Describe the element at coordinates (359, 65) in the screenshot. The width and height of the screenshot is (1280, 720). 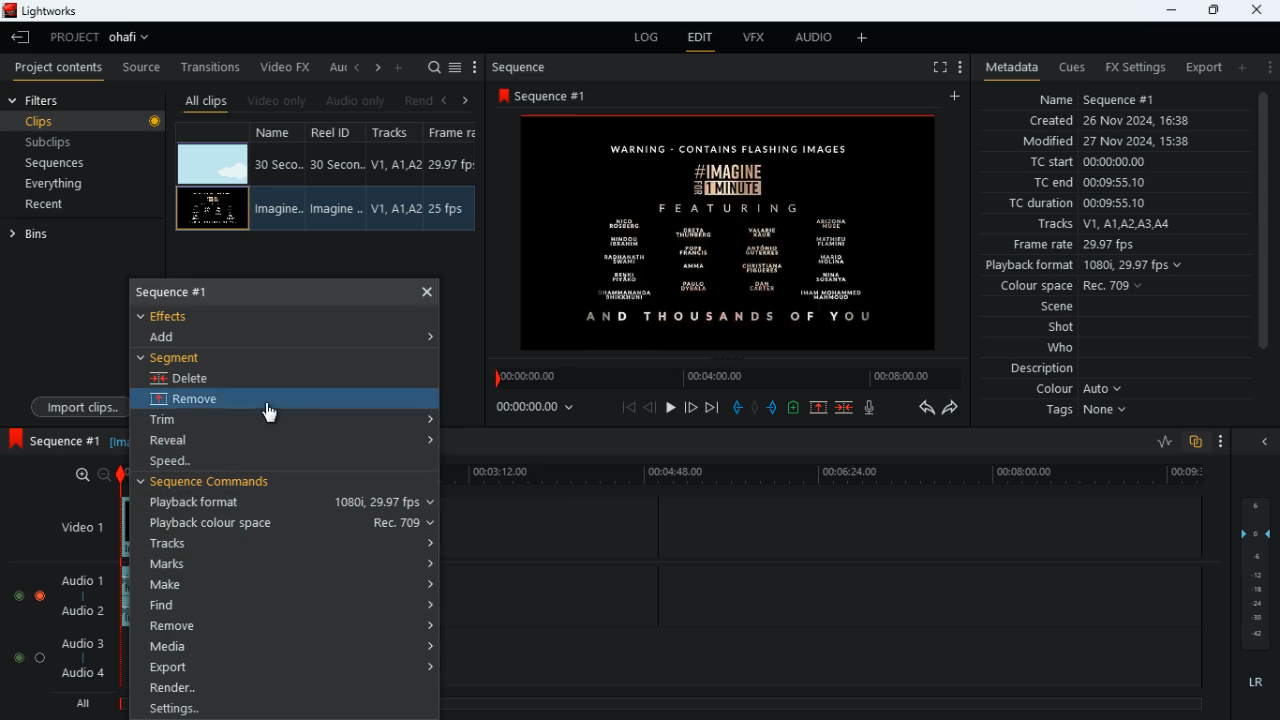
I see `left` at that location.